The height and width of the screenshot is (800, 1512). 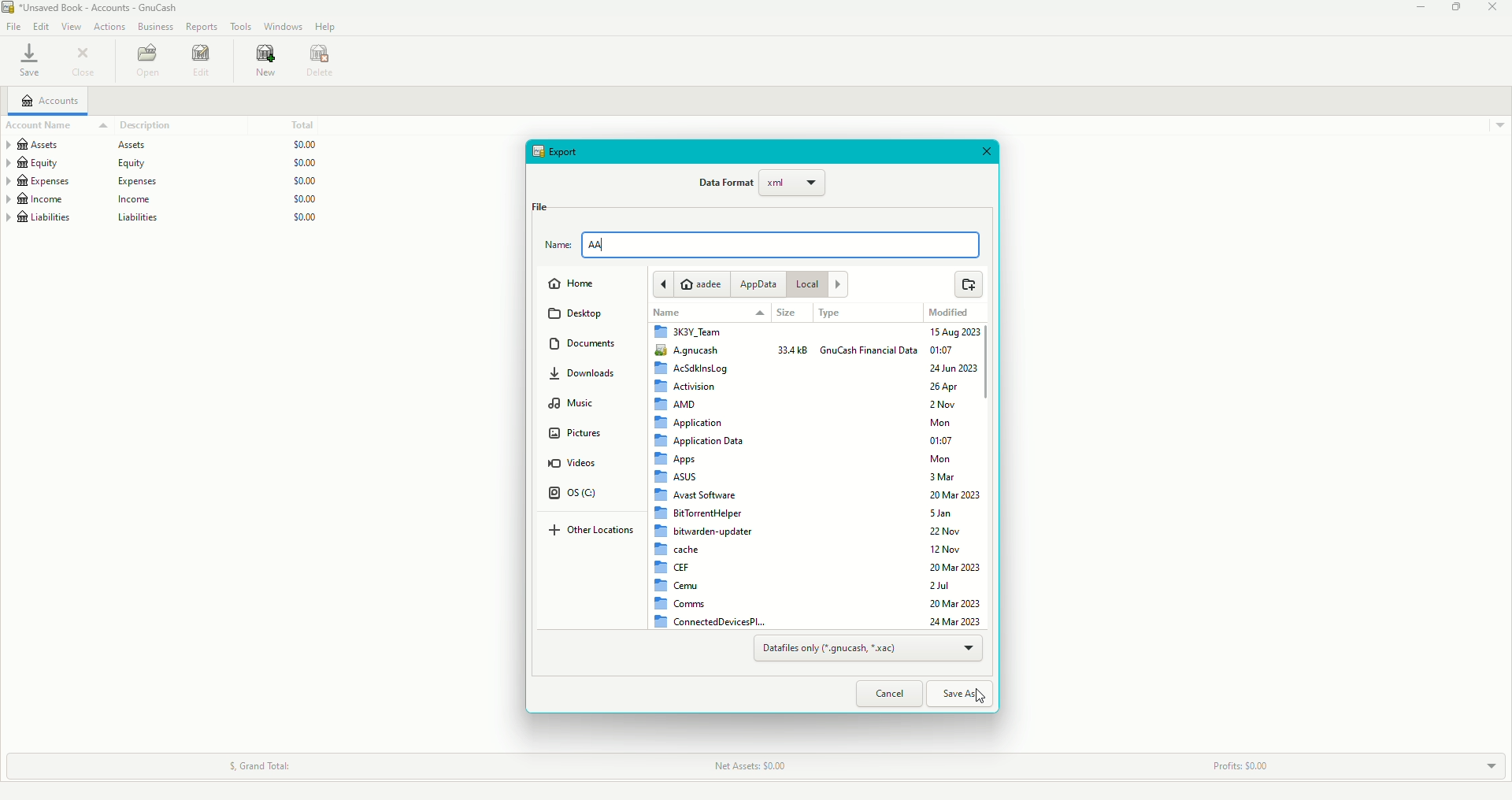 I want to click on Edit, so click(x=202, y=63).